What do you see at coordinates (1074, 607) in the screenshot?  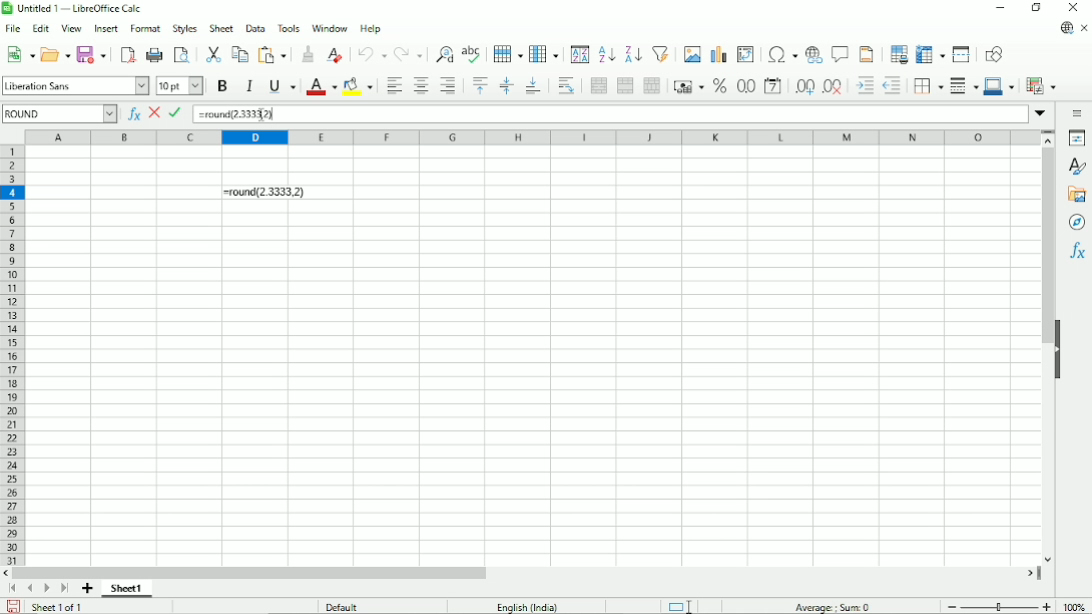 I see `100%` at bounding box center [1074, 607].